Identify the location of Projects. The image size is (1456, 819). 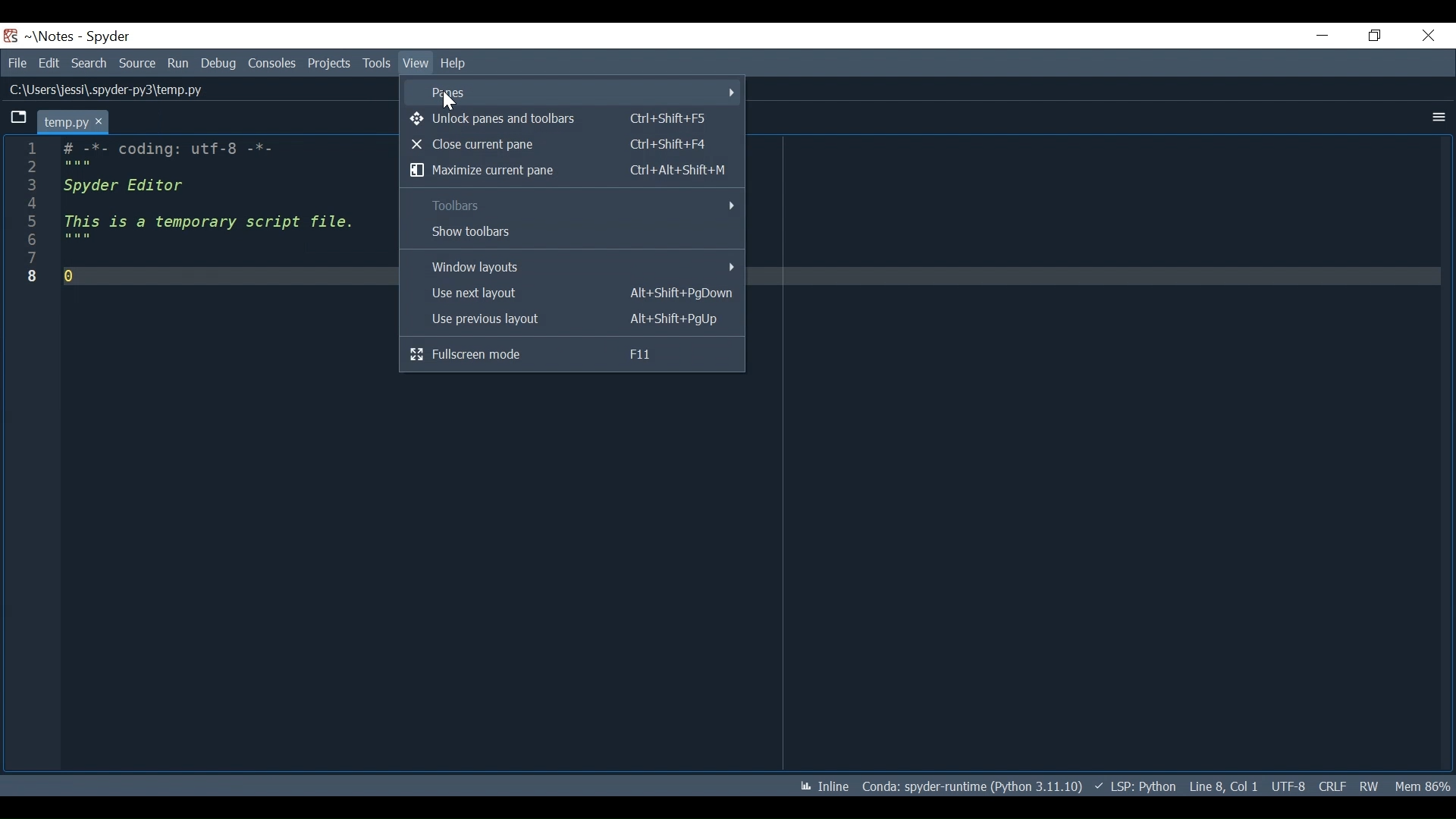
(330, 64).